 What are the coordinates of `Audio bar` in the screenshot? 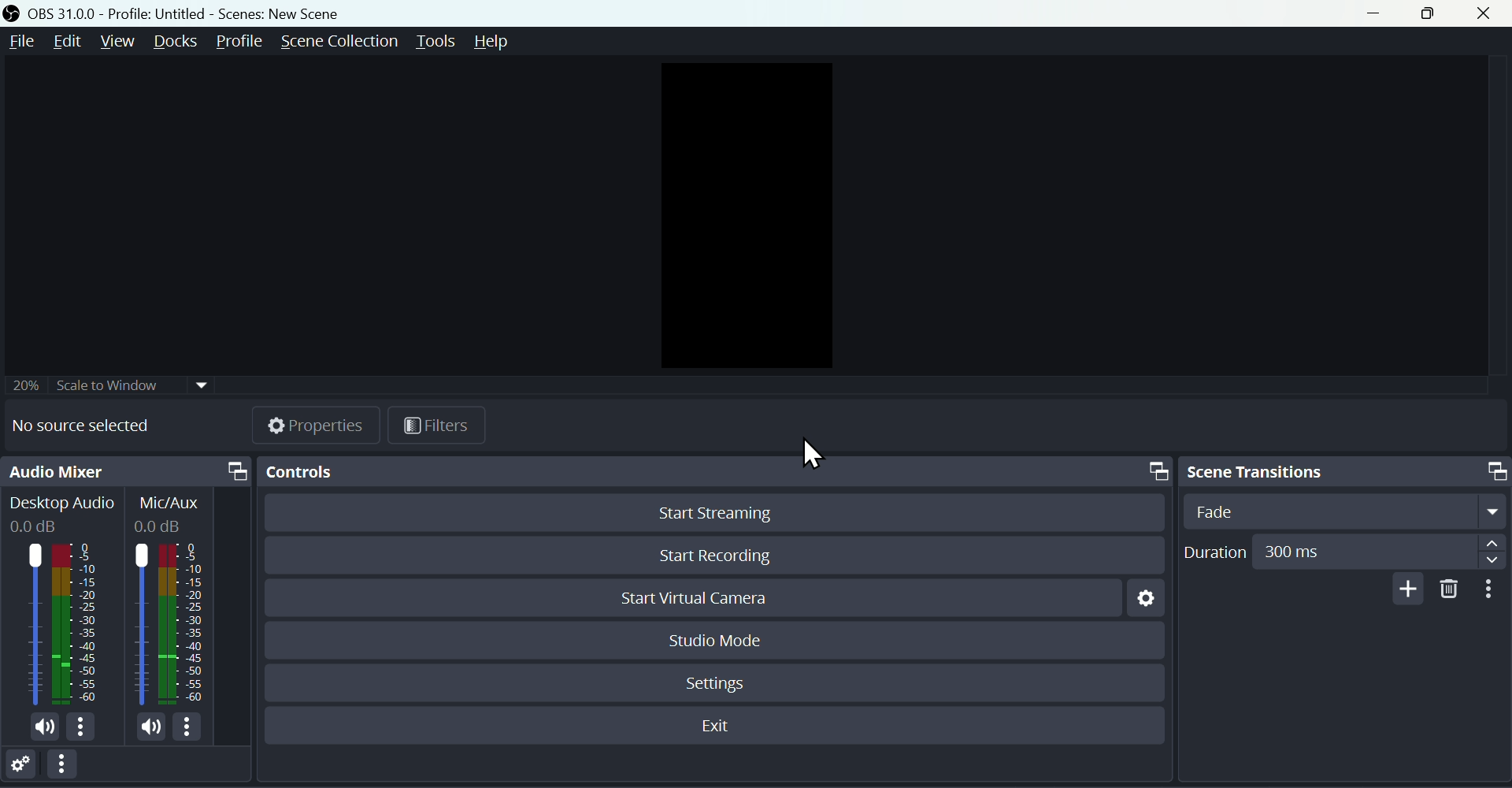 It's located at (57, 623).